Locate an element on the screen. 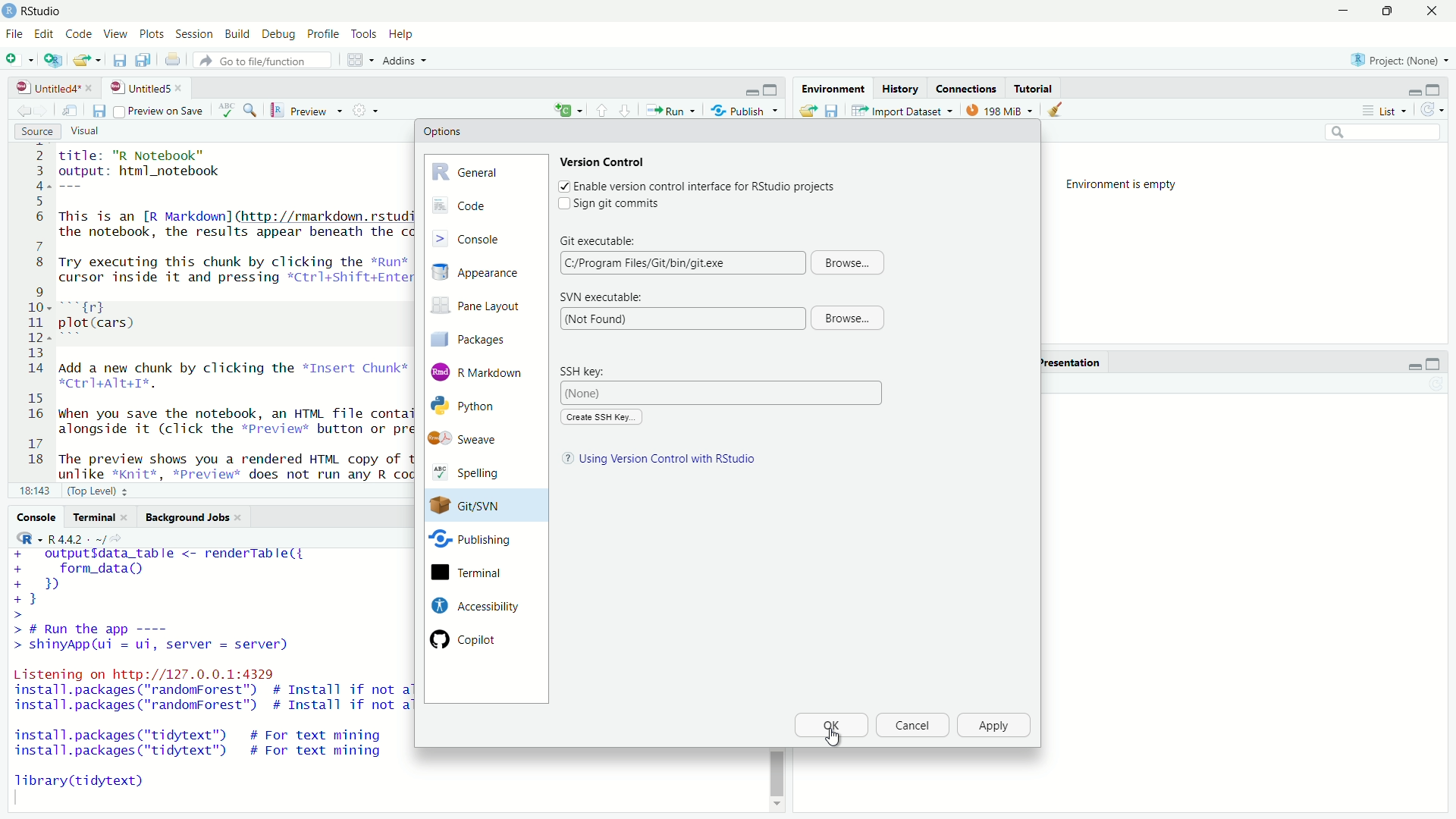 Image resolution: width=1456 pixels, height=819 pixels. Browse... is located at coordinates (846, 318).